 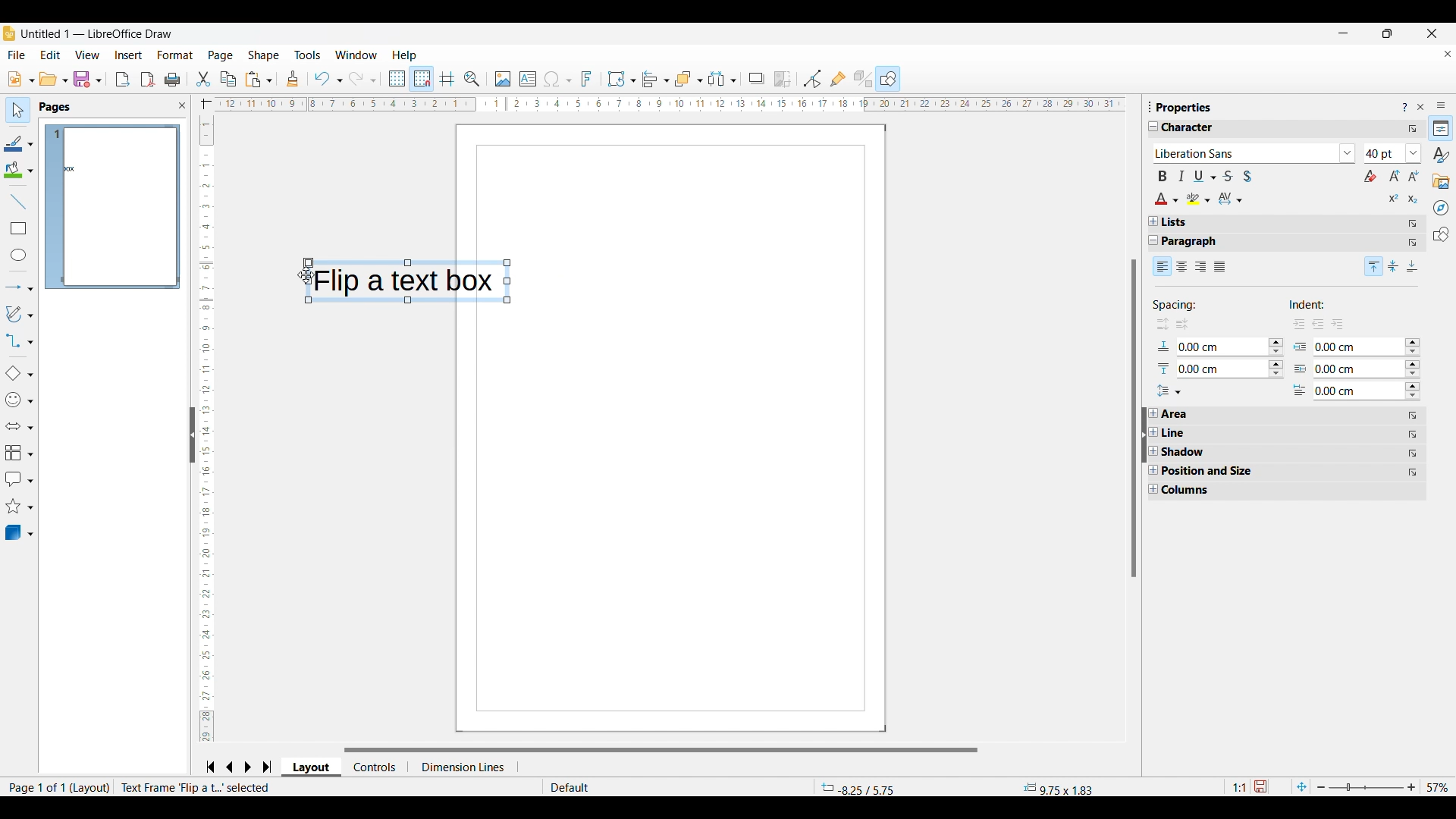 What do you see at coordinates (661, 750) in the screenshot?
I see `Horizontal slider` at bounding box center [661, 750].